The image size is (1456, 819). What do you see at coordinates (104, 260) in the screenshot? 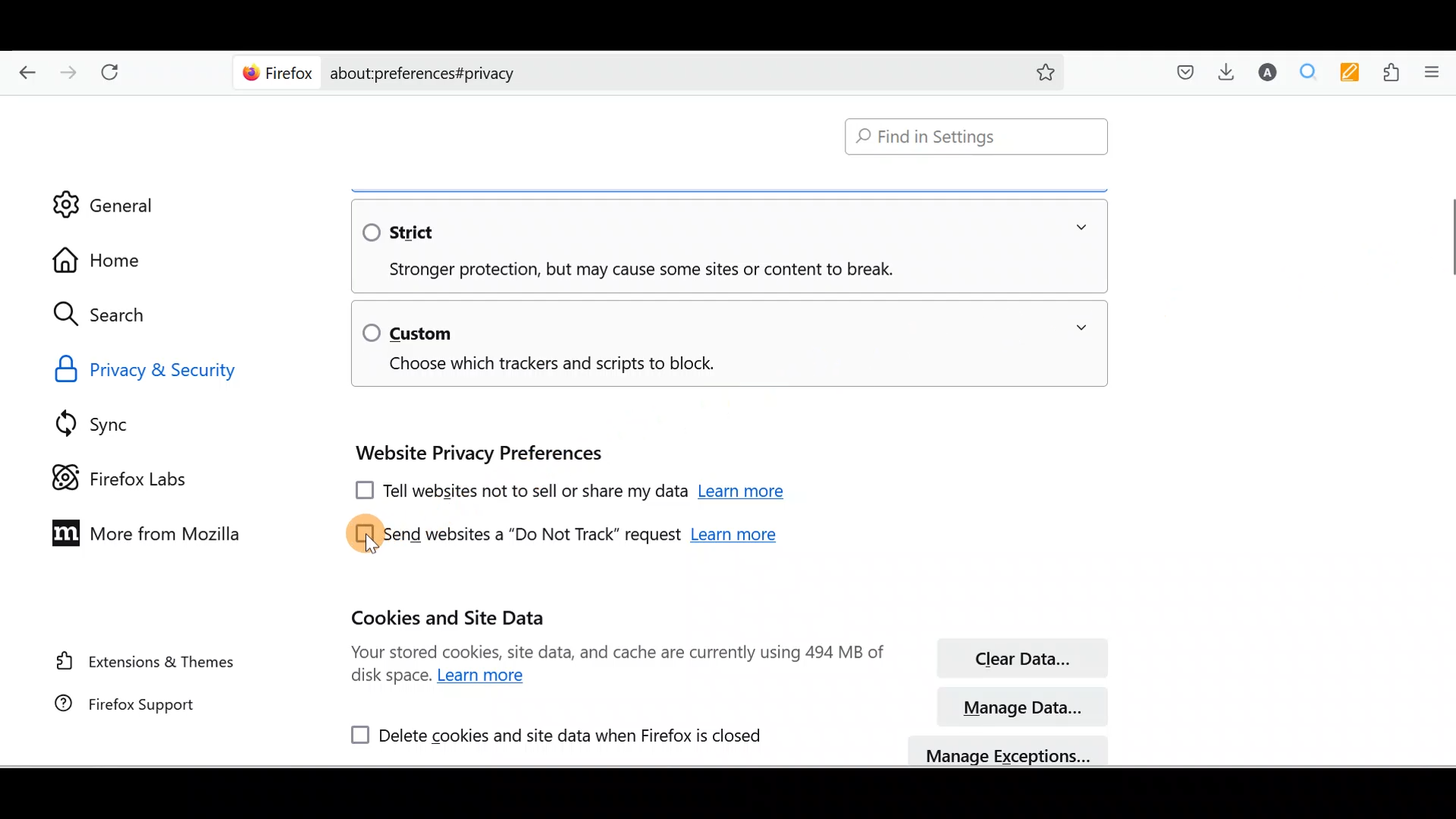
I see `Home` at bounding box center [104, 260].